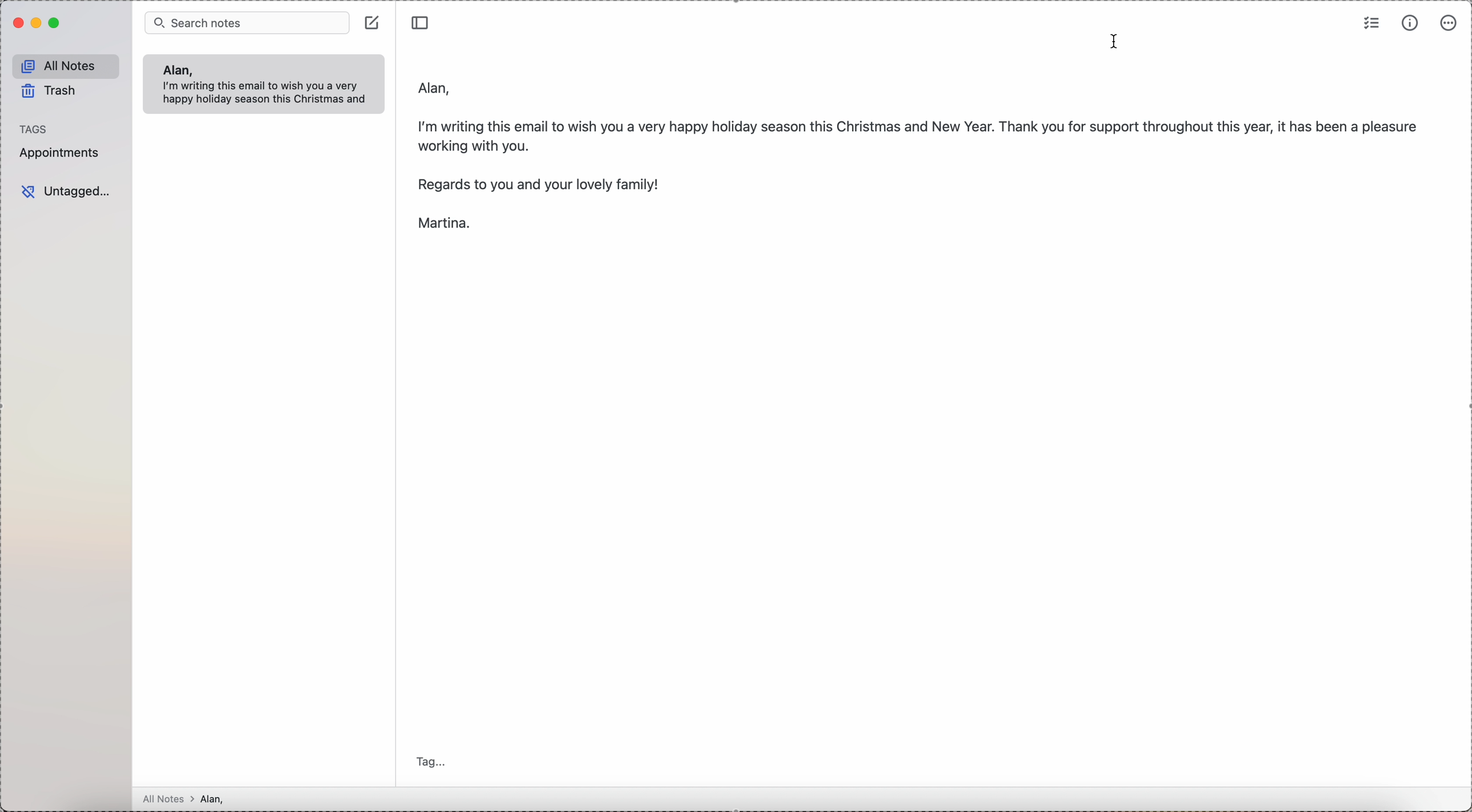 Image resolution: width=1472 pixels, height=812 pixels. Describe the element at coordinates (442, 225) in the screenshot. I see `Martina` at that location.